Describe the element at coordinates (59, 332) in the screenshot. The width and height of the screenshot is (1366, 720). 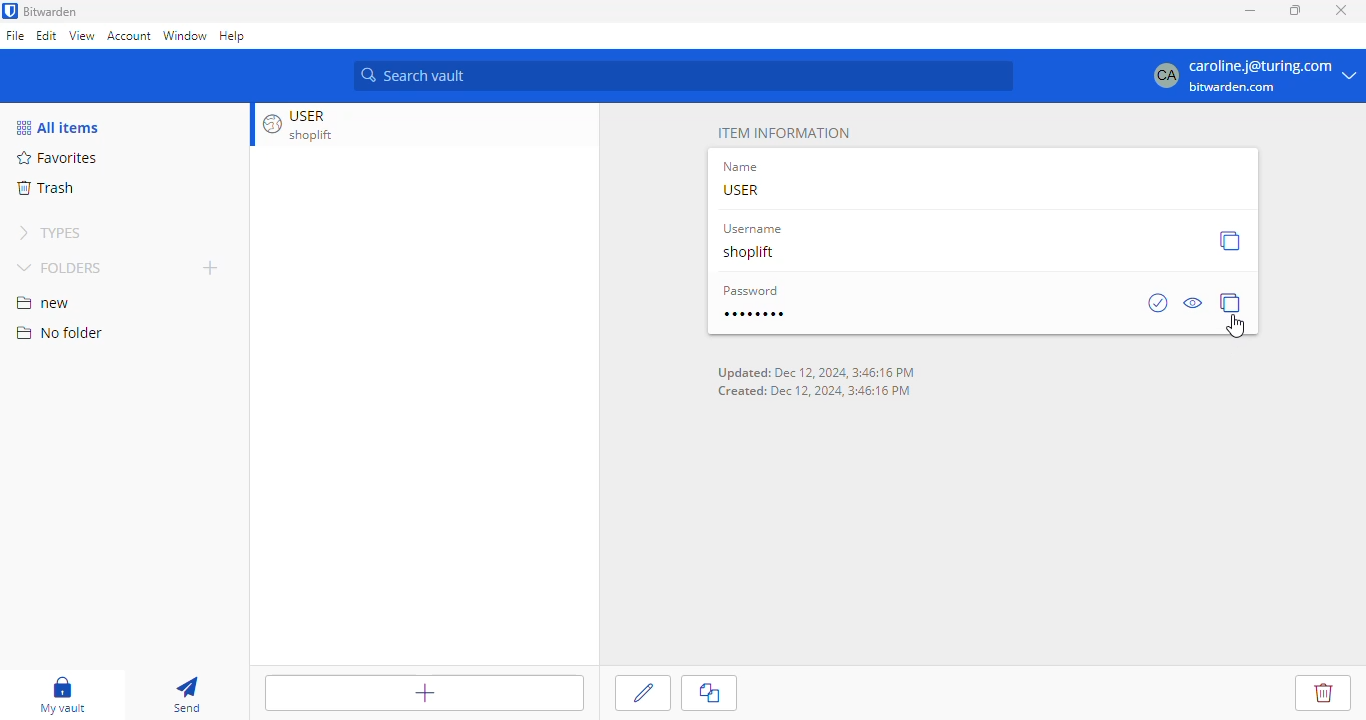
I see `no folder` at that location.